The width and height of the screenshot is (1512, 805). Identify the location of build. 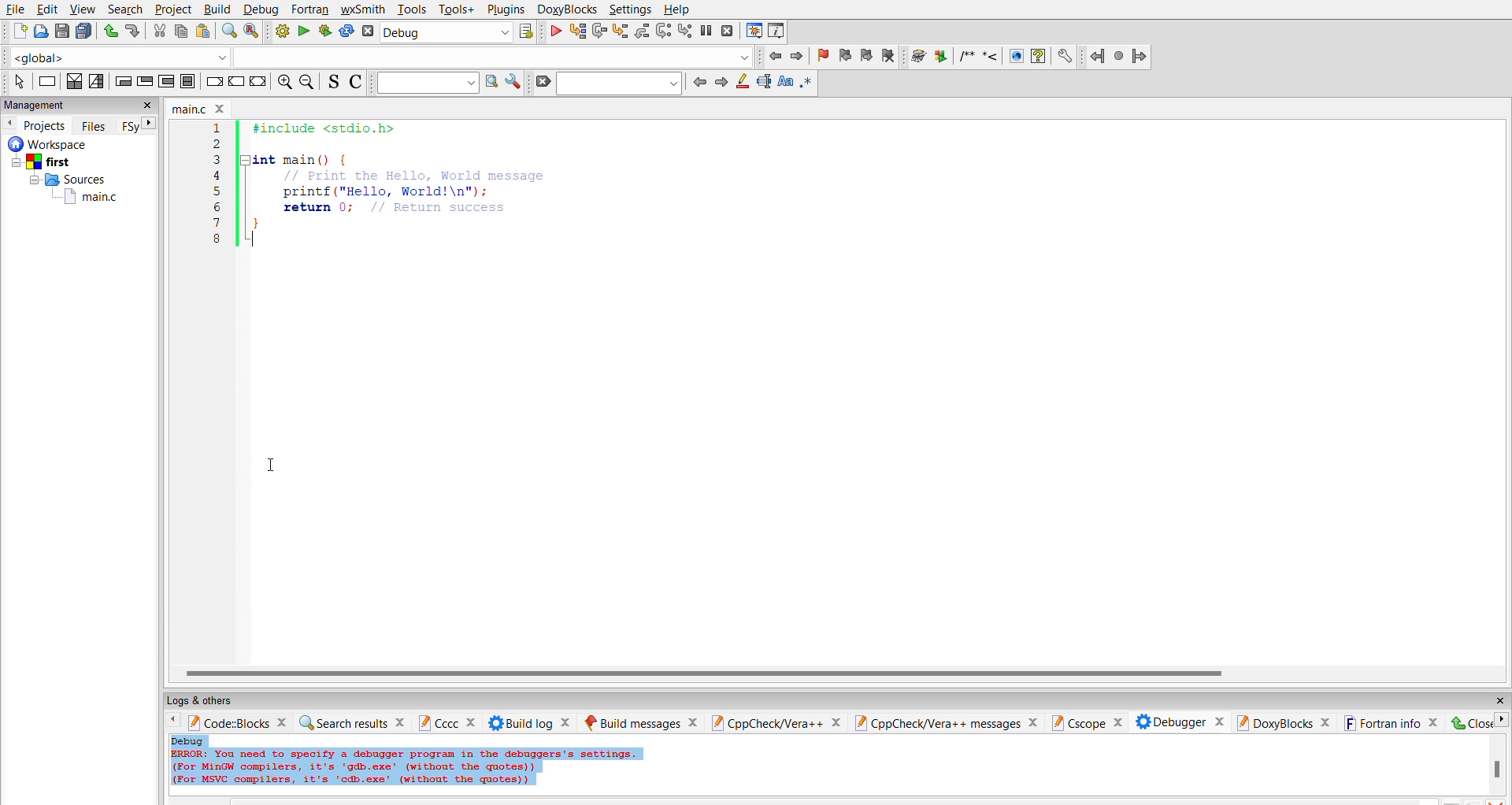
(216, 9).